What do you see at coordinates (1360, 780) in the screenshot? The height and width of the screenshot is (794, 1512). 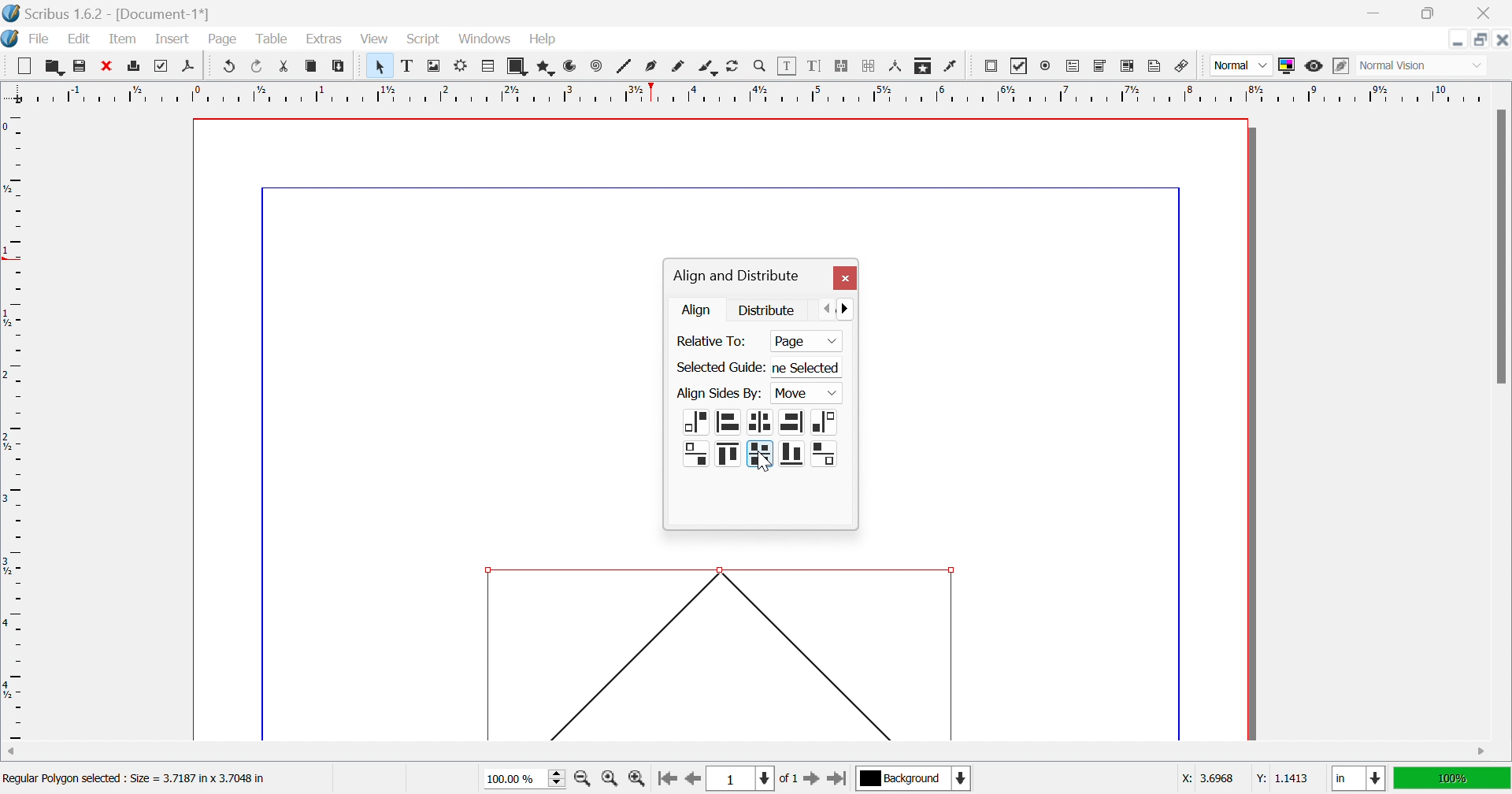 I see `in` at bounding box center [1360, 780].